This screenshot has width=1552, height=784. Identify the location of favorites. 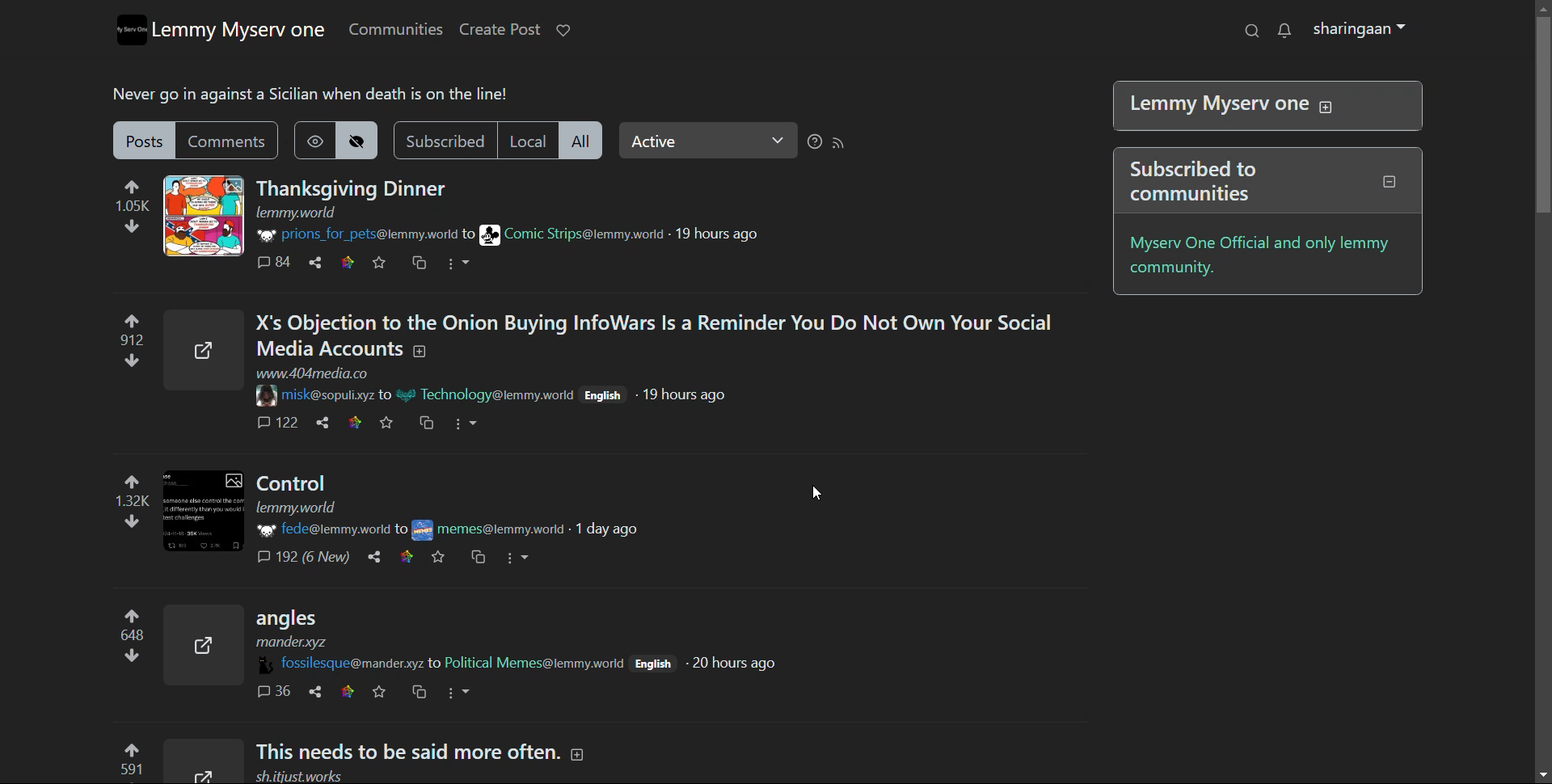
(441, 557).